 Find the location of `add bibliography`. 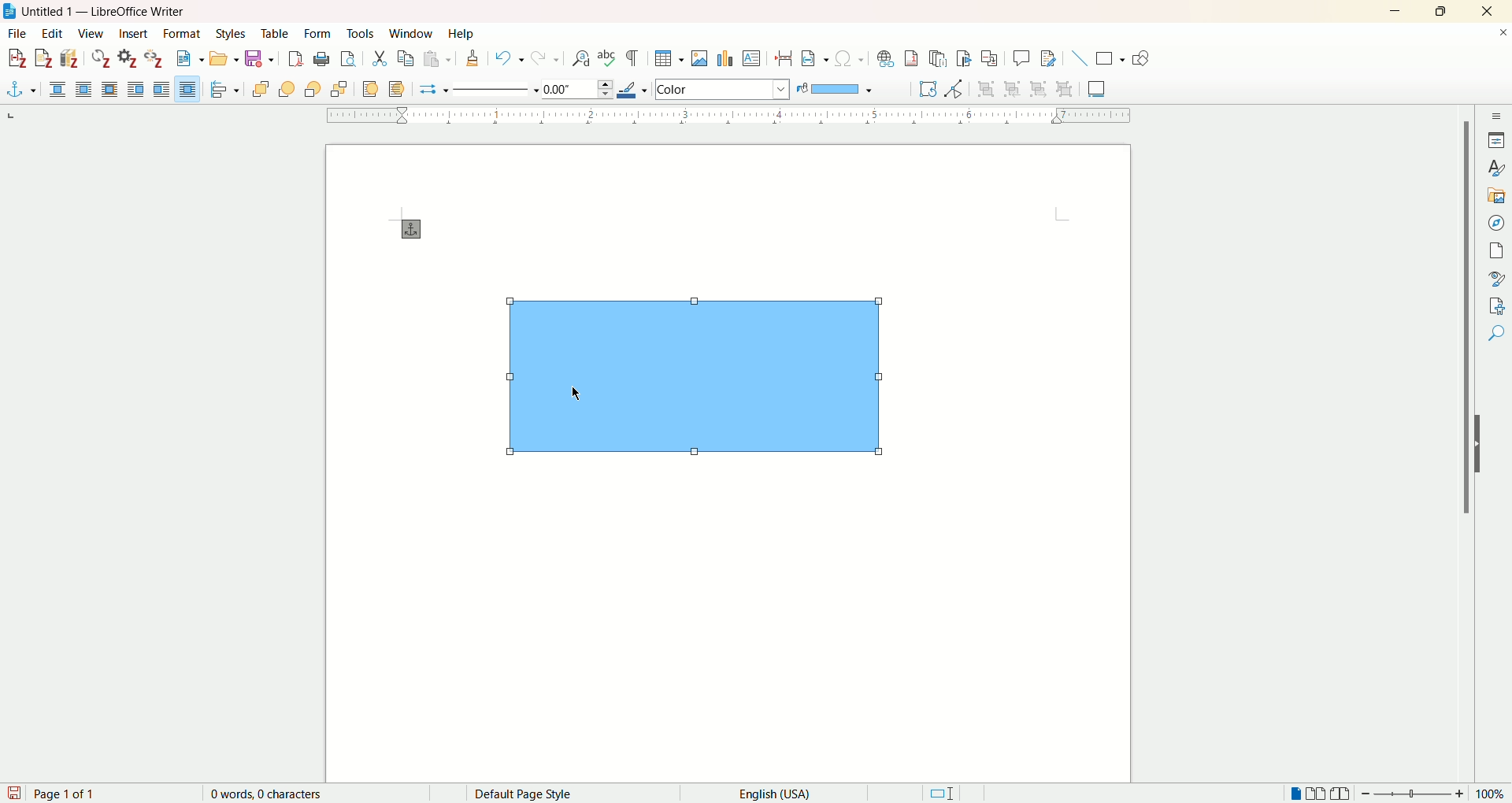

add bibliography is located at coordinates (71, 59).